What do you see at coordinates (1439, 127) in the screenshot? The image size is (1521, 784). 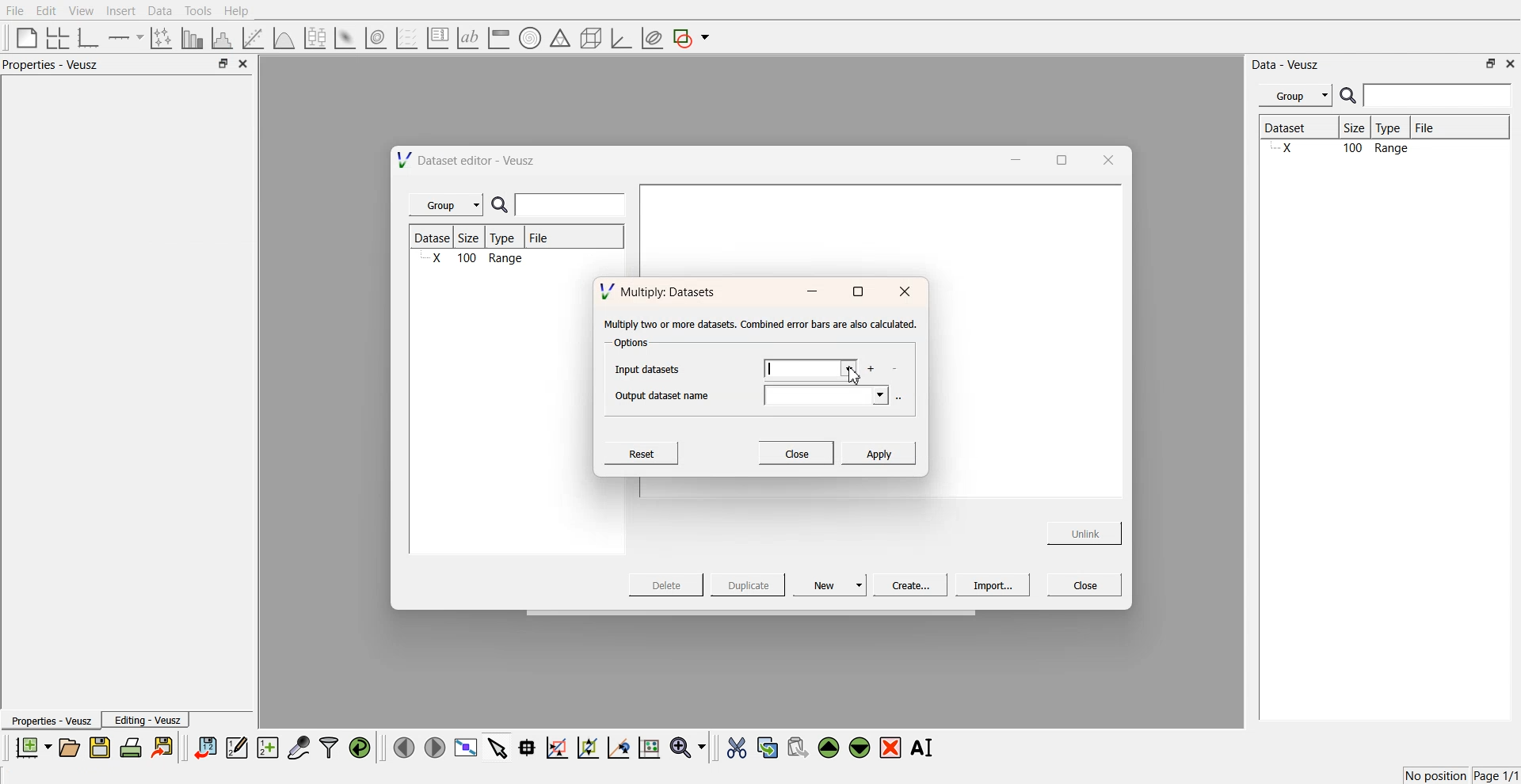 I see `File` at bounding box center [1439, 127].